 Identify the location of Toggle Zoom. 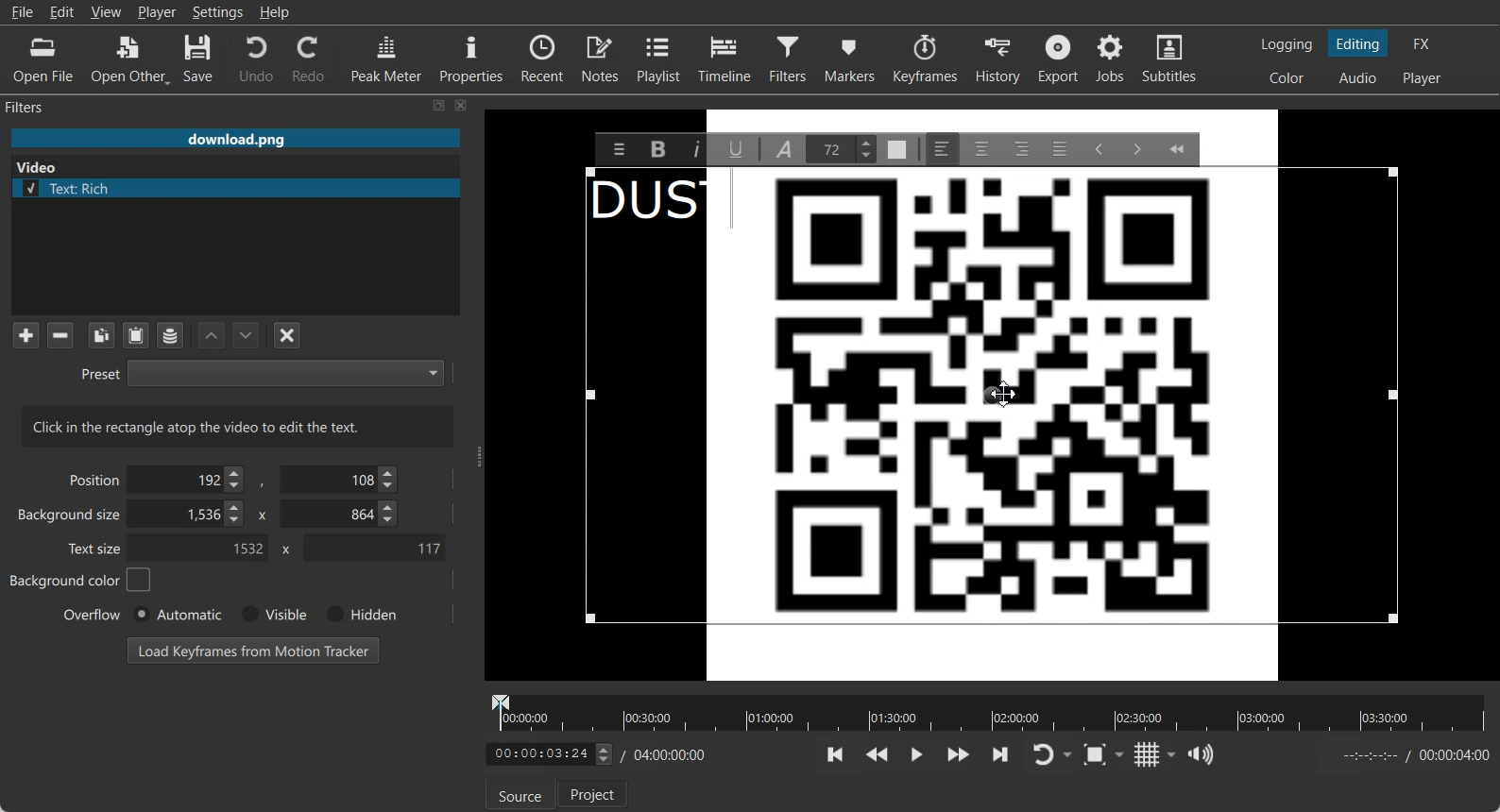
(1097, 755).